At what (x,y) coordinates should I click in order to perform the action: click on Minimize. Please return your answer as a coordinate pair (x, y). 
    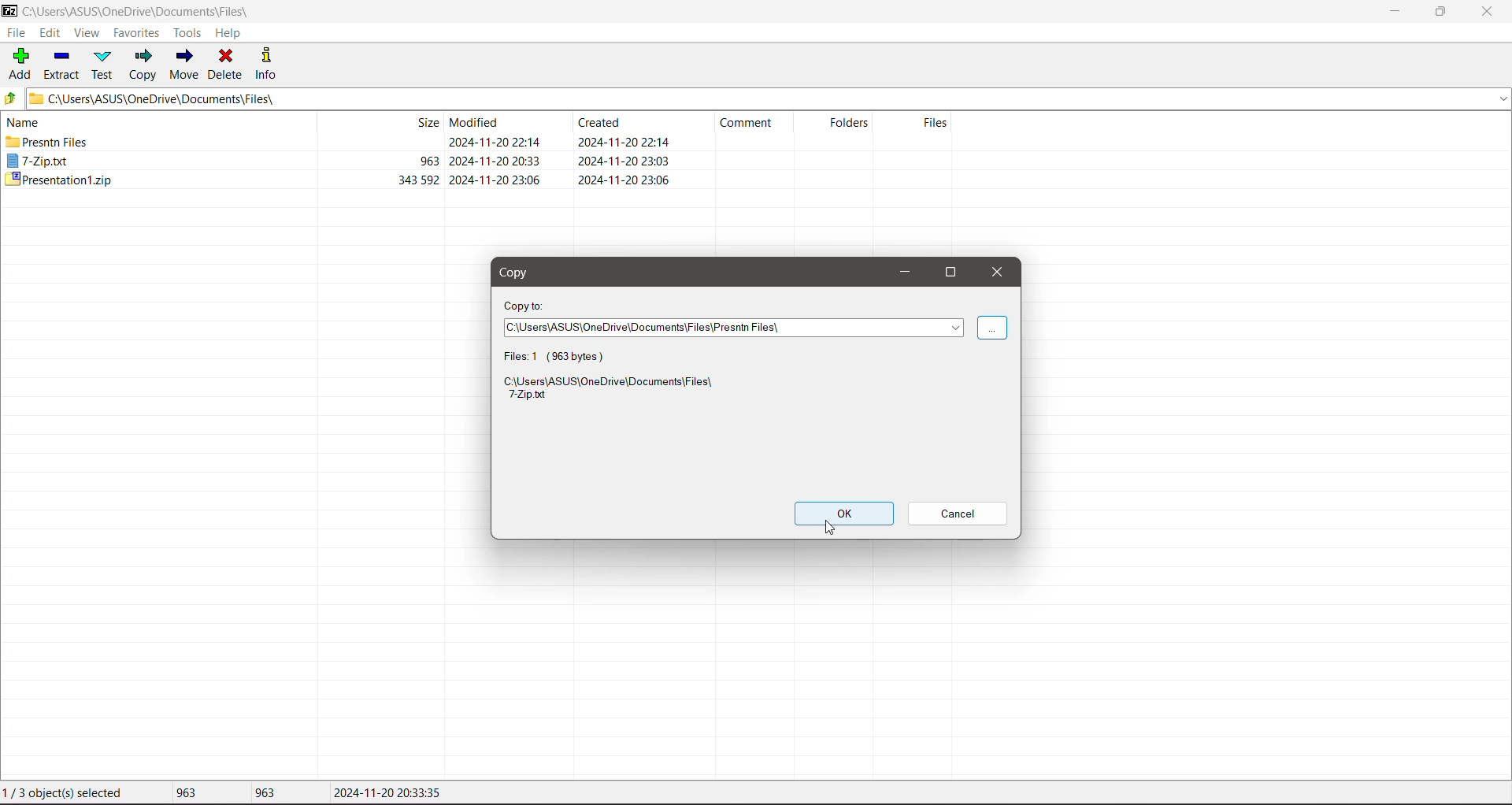
    Looking at the image, I should click on (901, 272).